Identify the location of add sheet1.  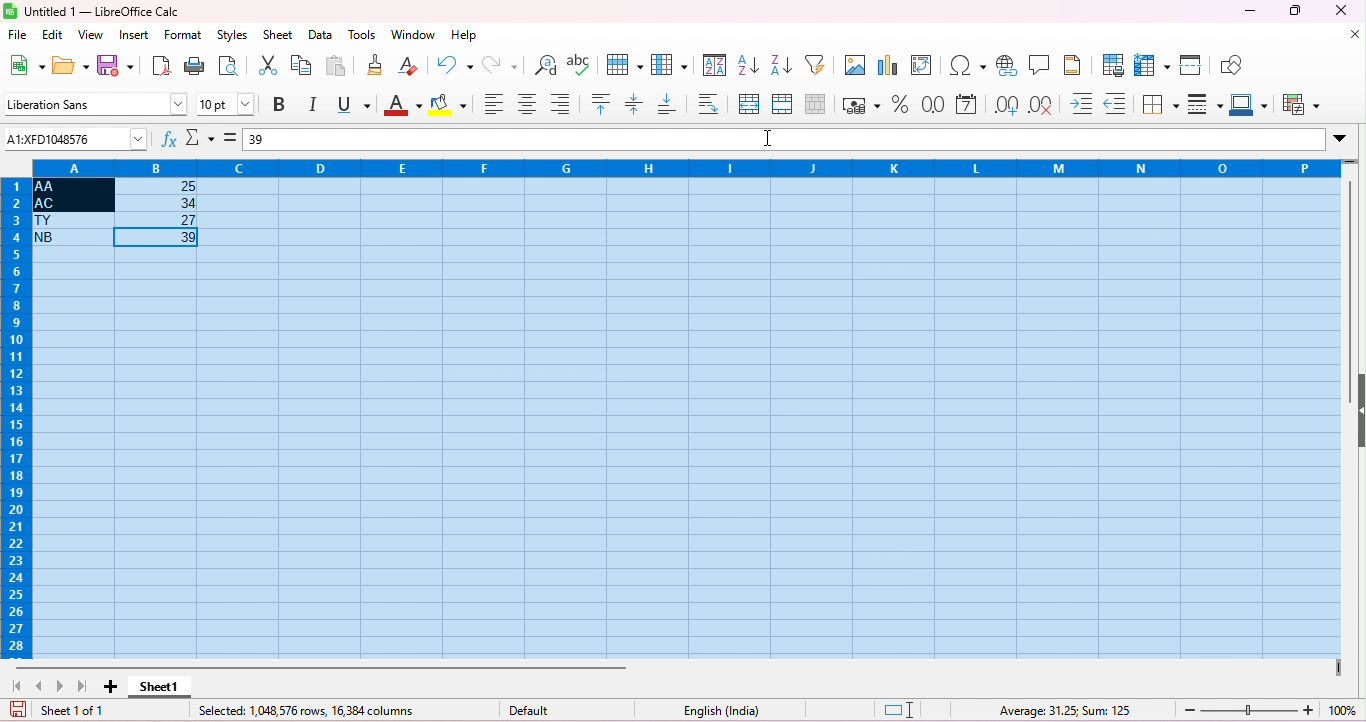
(108, 686).